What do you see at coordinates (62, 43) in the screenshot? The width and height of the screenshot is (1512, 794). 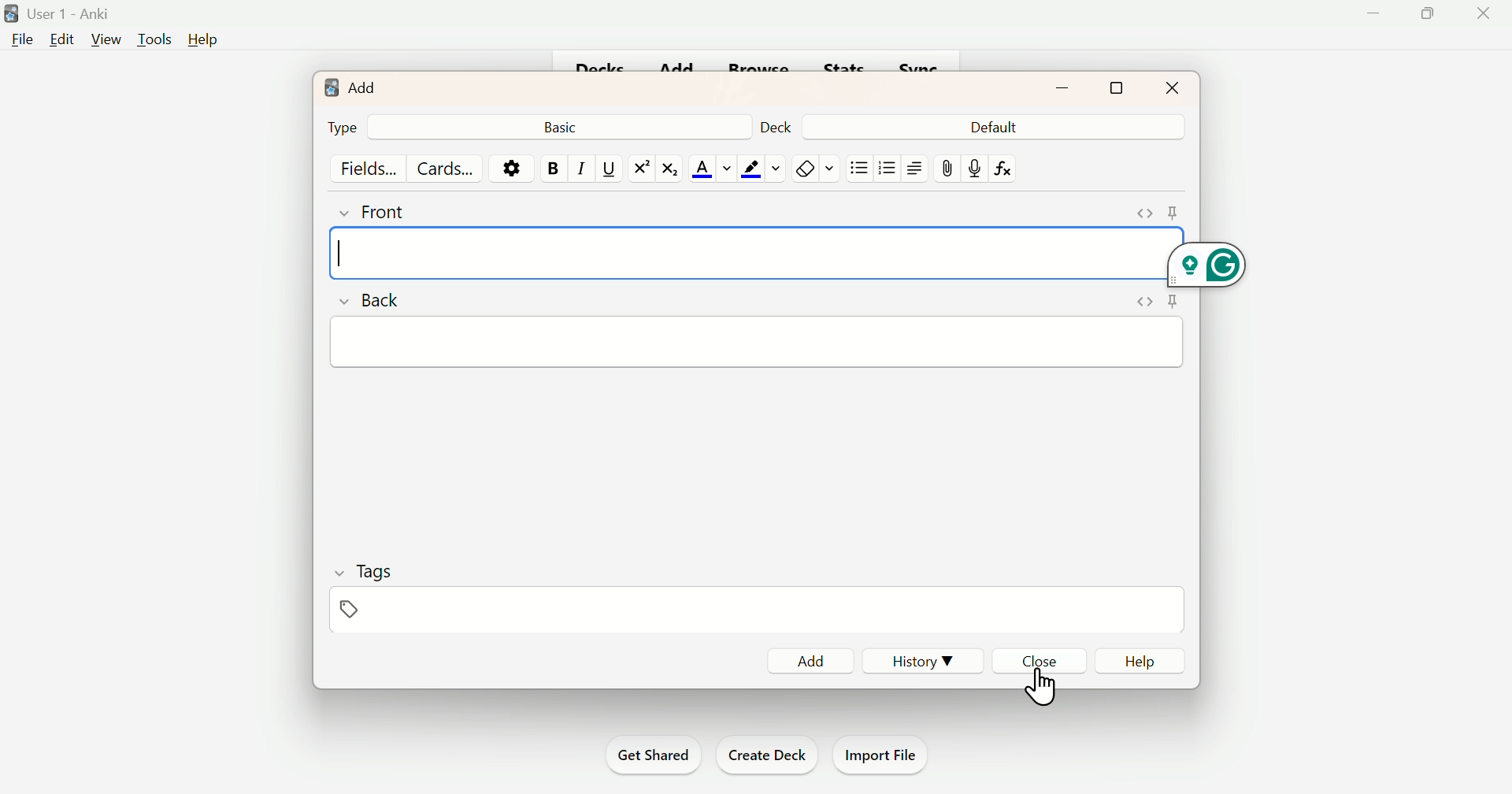 I see `Edit` at bounding box center [62, 43].